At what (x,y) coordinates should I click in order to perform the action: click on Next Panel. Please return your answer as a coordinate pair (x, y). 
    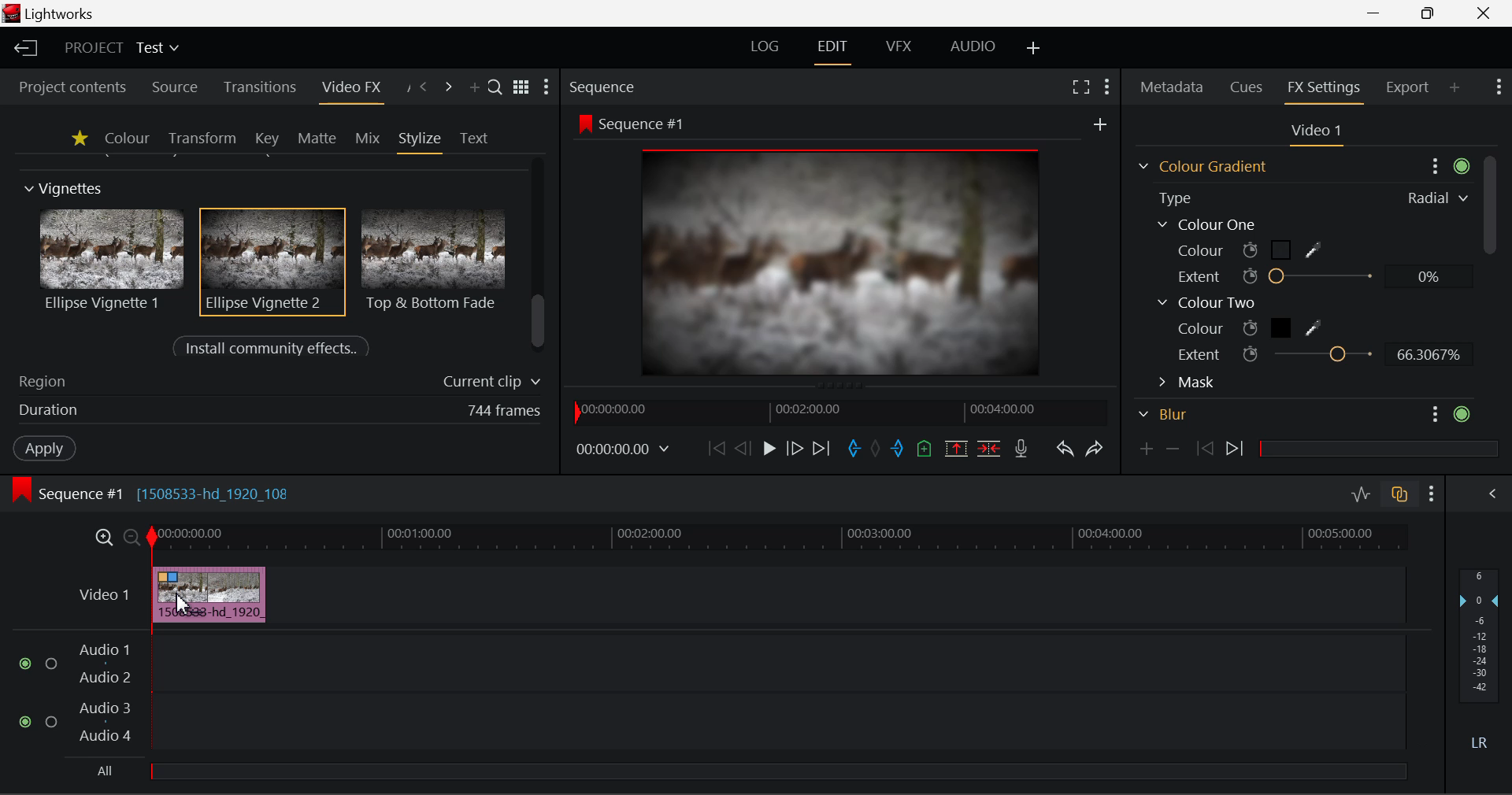
    Looking at the image, I should click on (449, 87).